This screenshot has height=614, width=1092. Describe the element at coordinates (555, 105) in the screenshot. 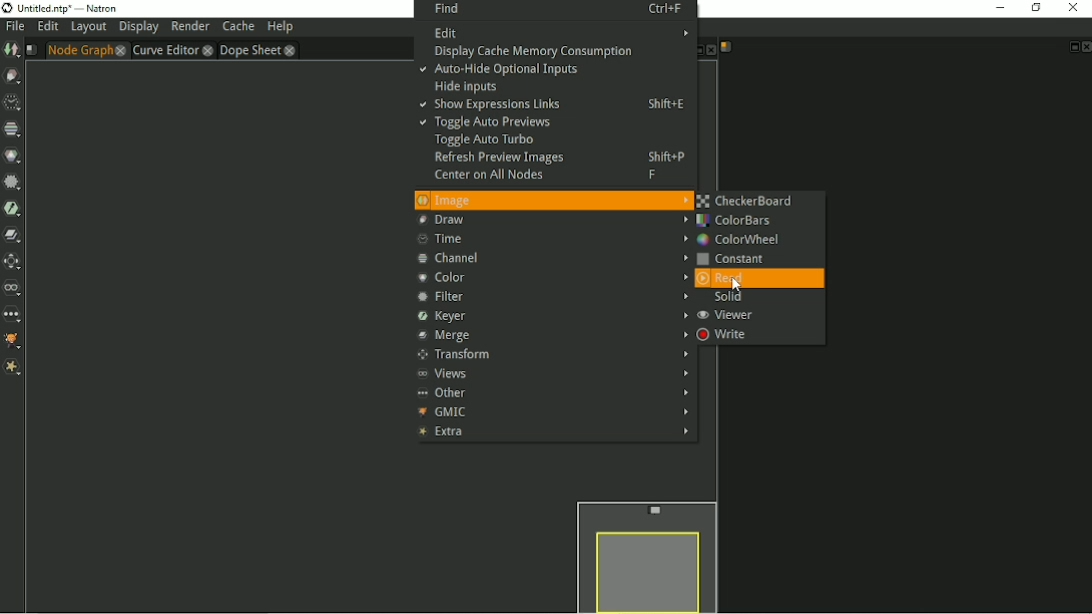

I see `Show expressions links` at that location.